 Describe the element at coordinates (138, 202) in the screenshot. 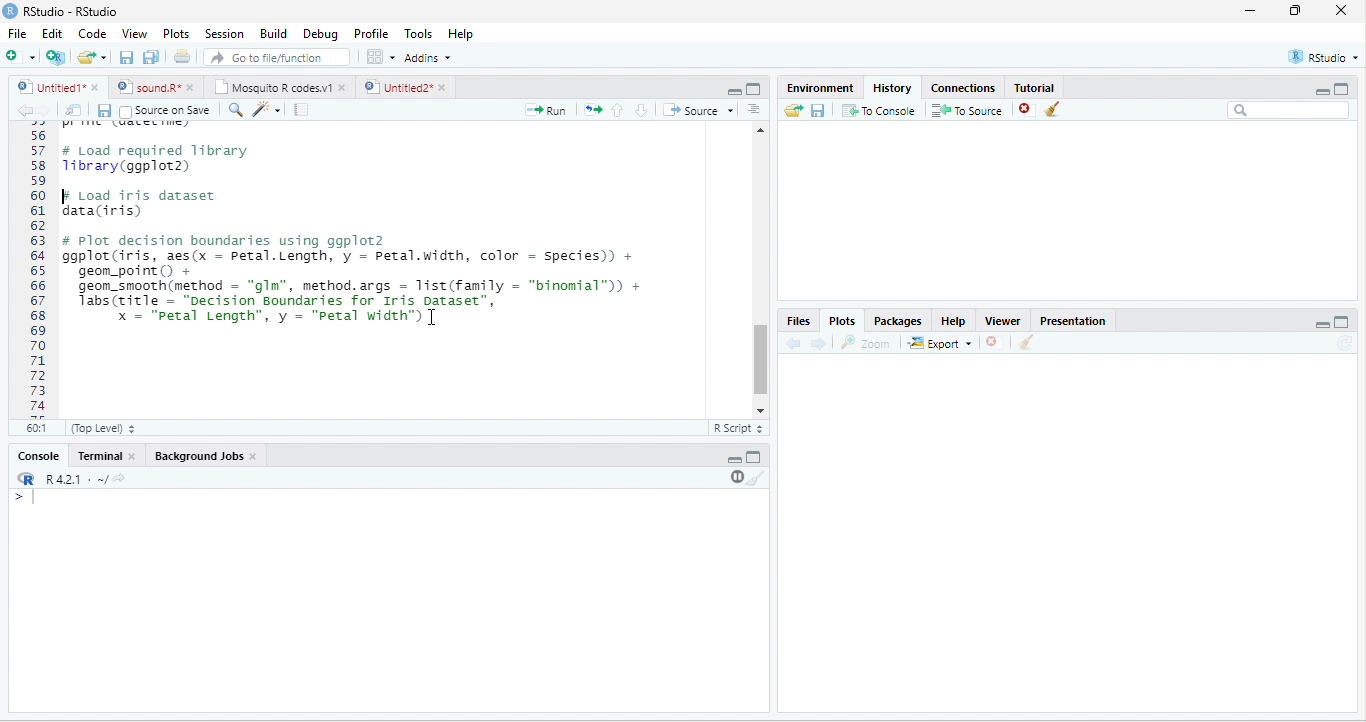

I see `# Load iris dataset data(iris)` at that location.